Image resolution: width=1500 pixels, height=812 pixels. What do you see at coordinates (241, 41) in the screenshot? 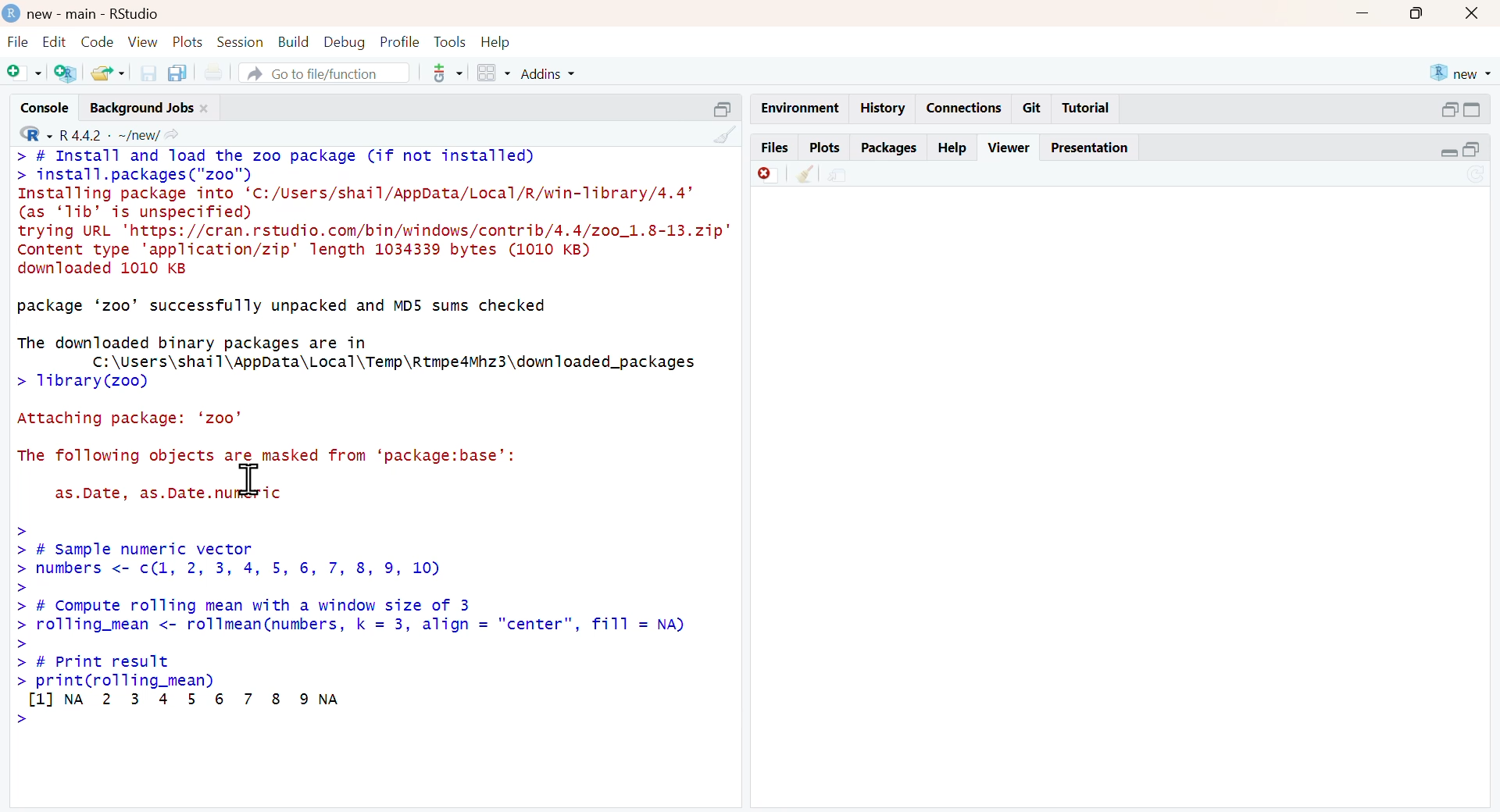
I see `session` at bounding box center [241, 41].